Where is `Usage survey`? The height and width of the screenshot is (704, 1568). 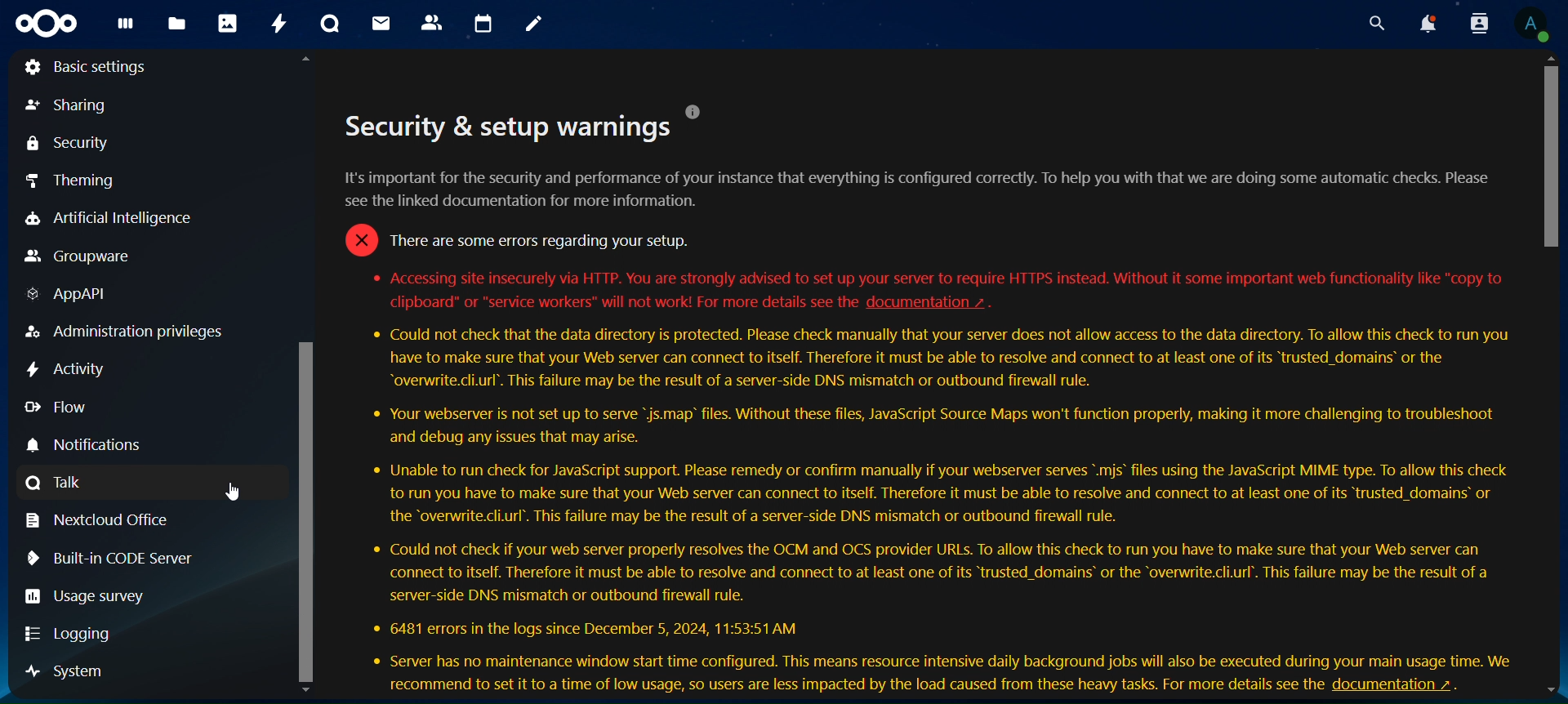 Usage survey is located at coordinates (84, 599).